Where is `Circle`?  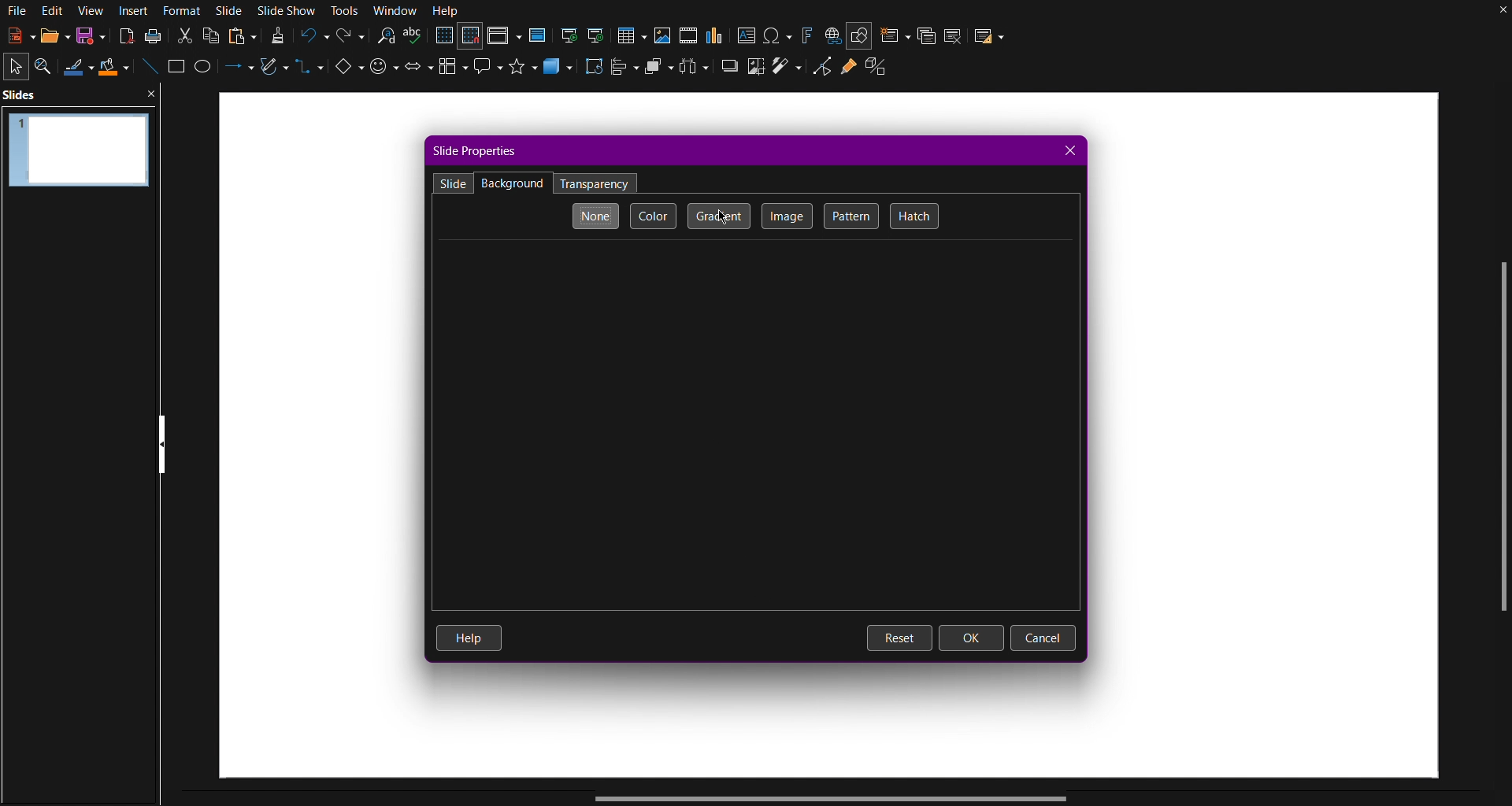
Circle is located at coordinates (206, 70).